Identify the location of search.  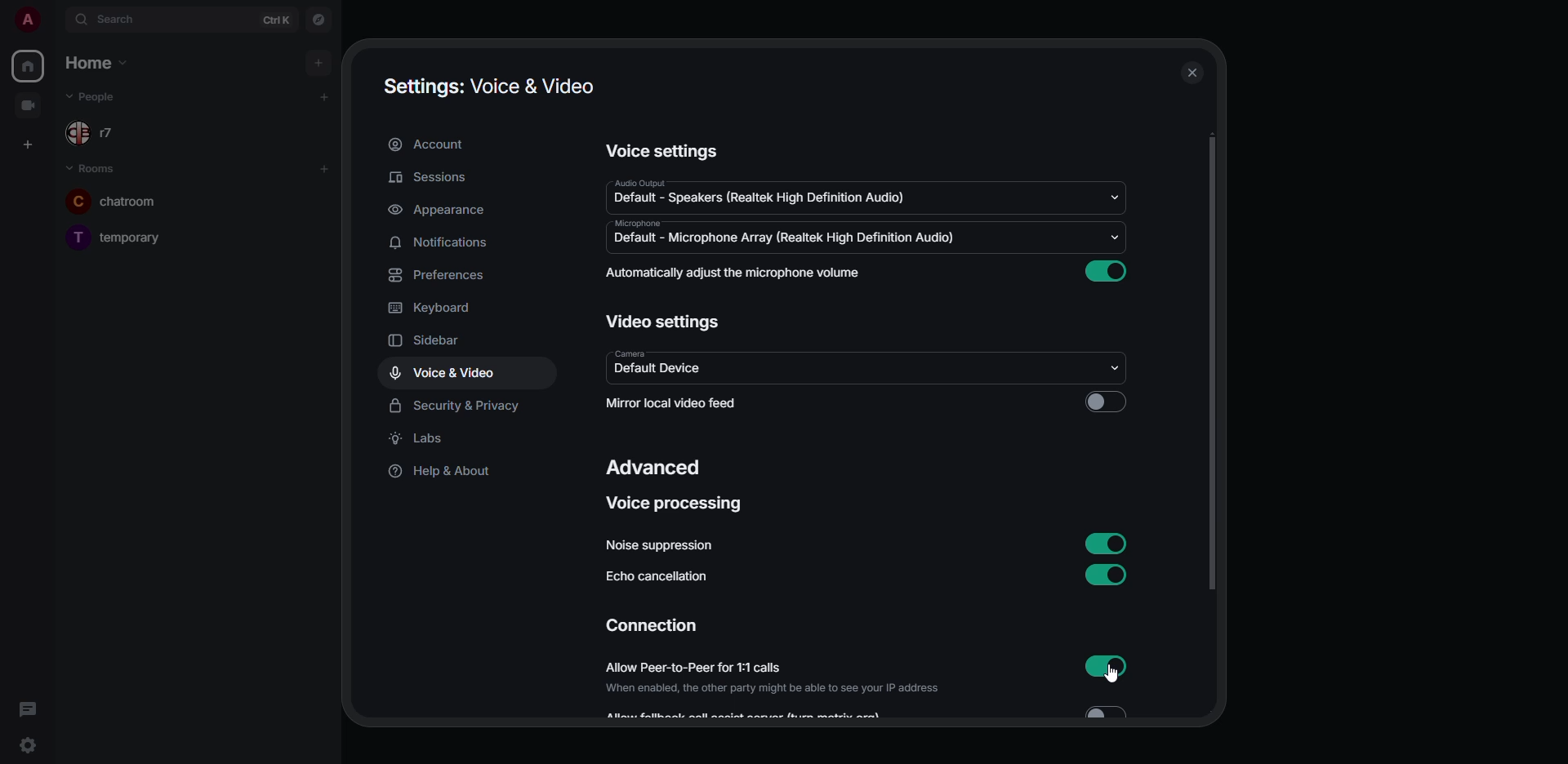
(121, 18).